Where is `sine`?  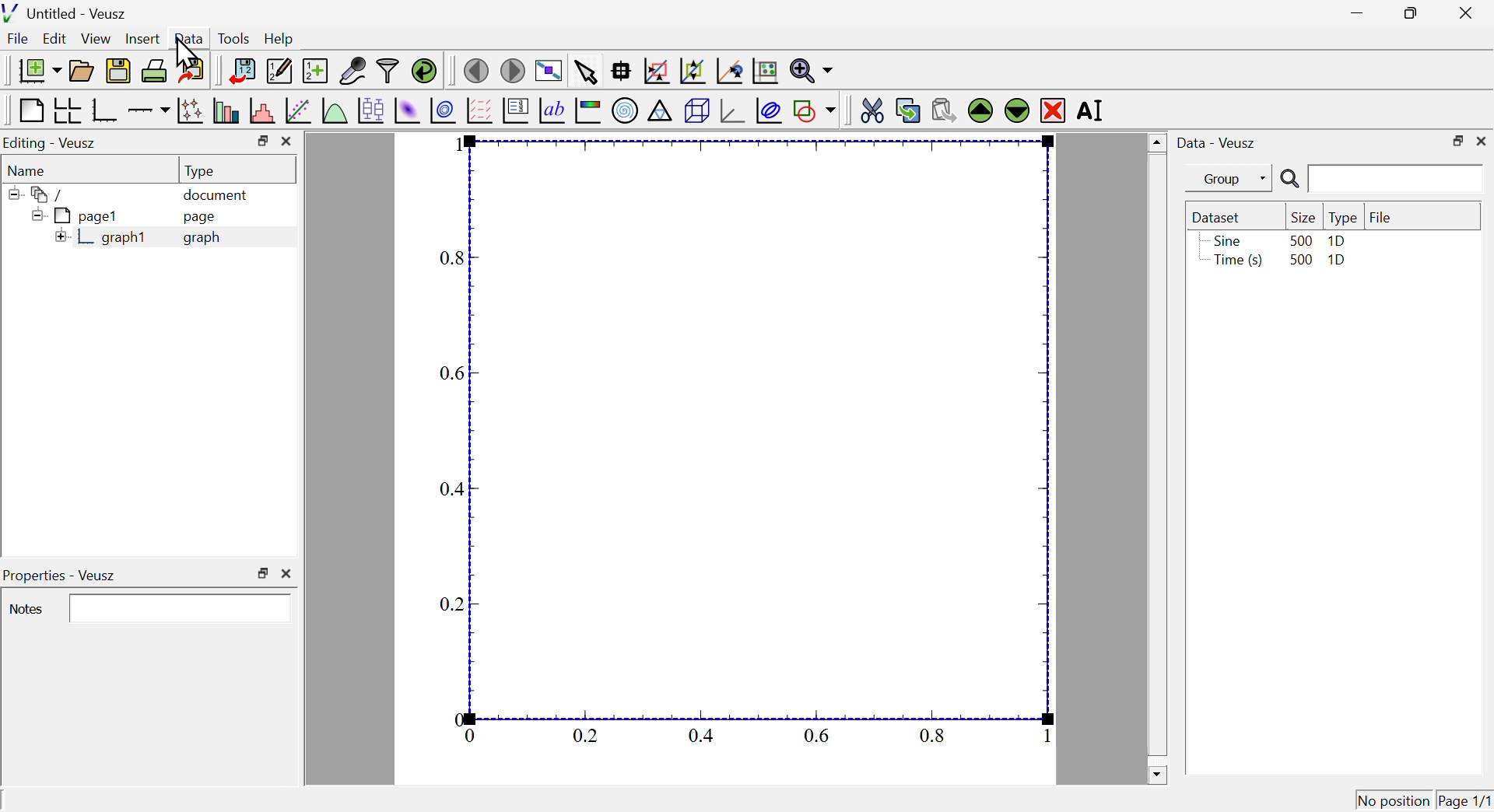
sine is located at coordinates (1226, 240).